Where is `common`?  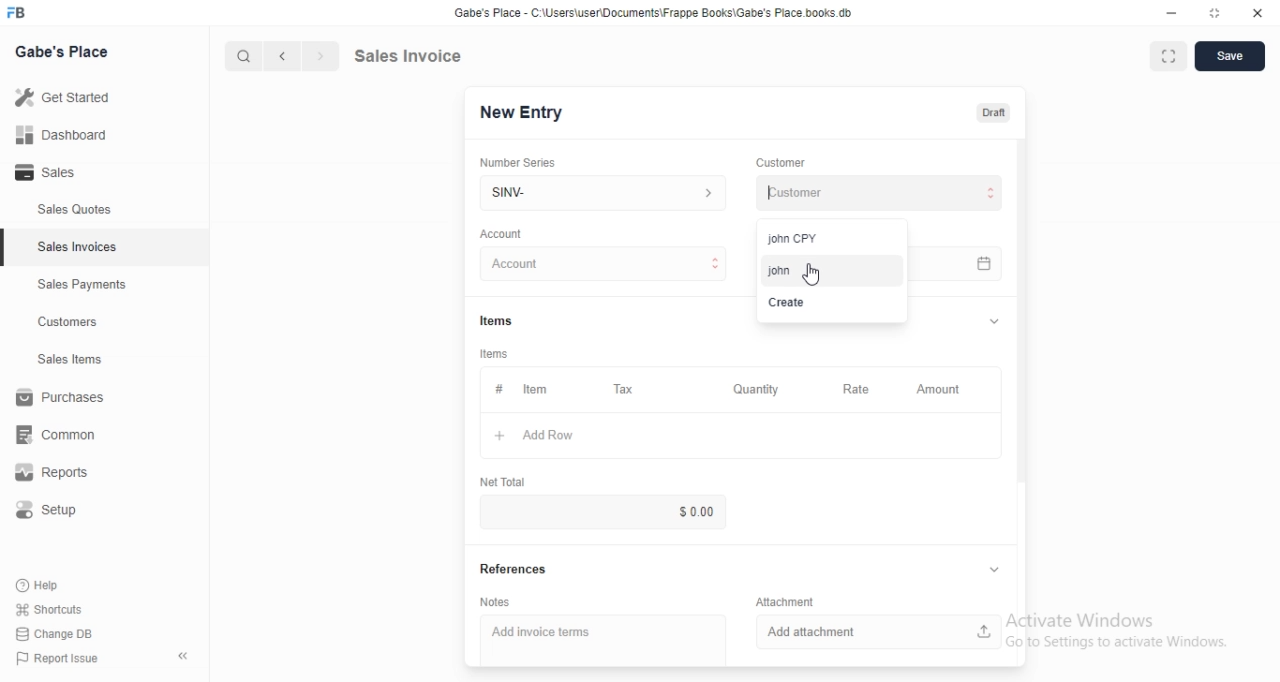
common is located at coordinates (62, 434).